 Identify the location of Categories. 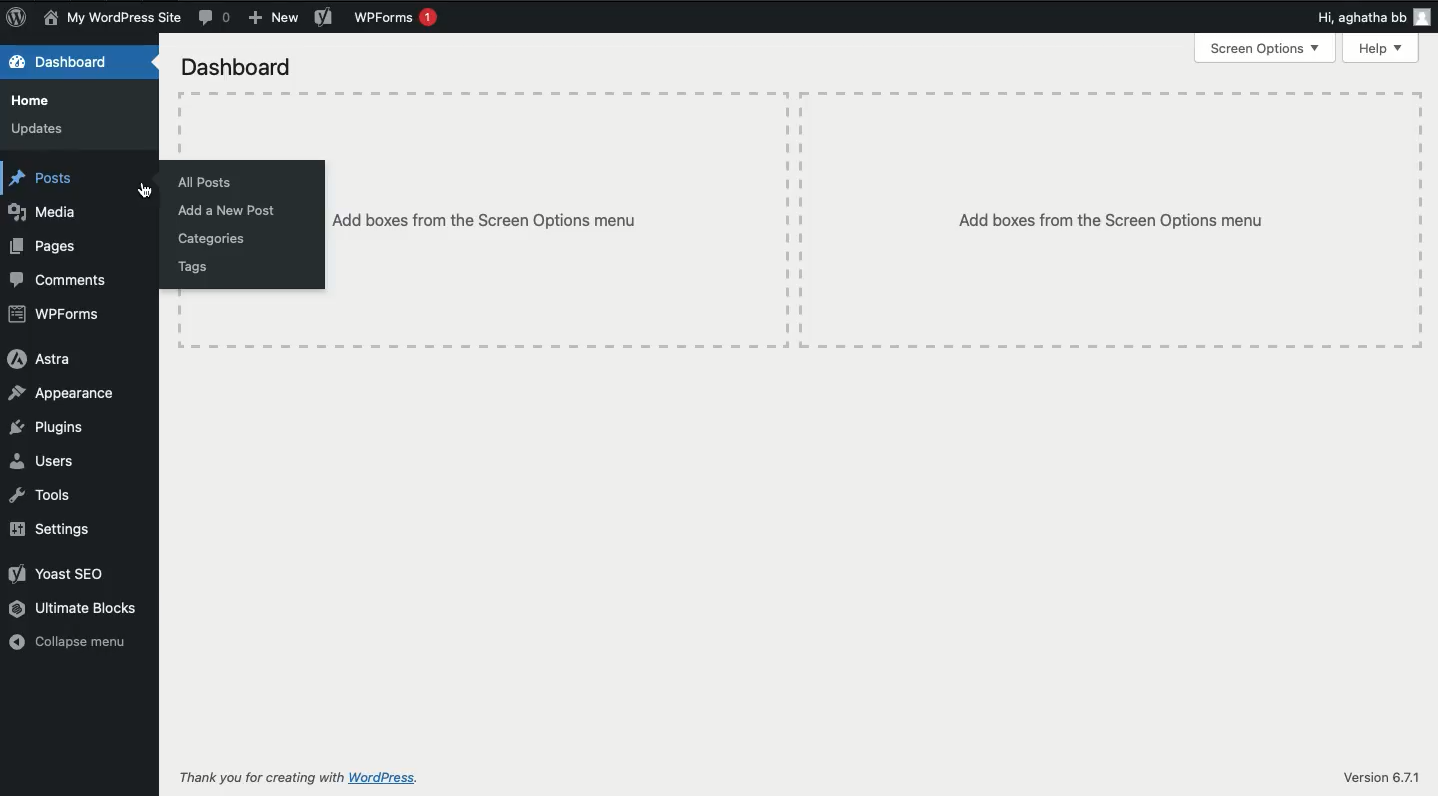
(215, 238).